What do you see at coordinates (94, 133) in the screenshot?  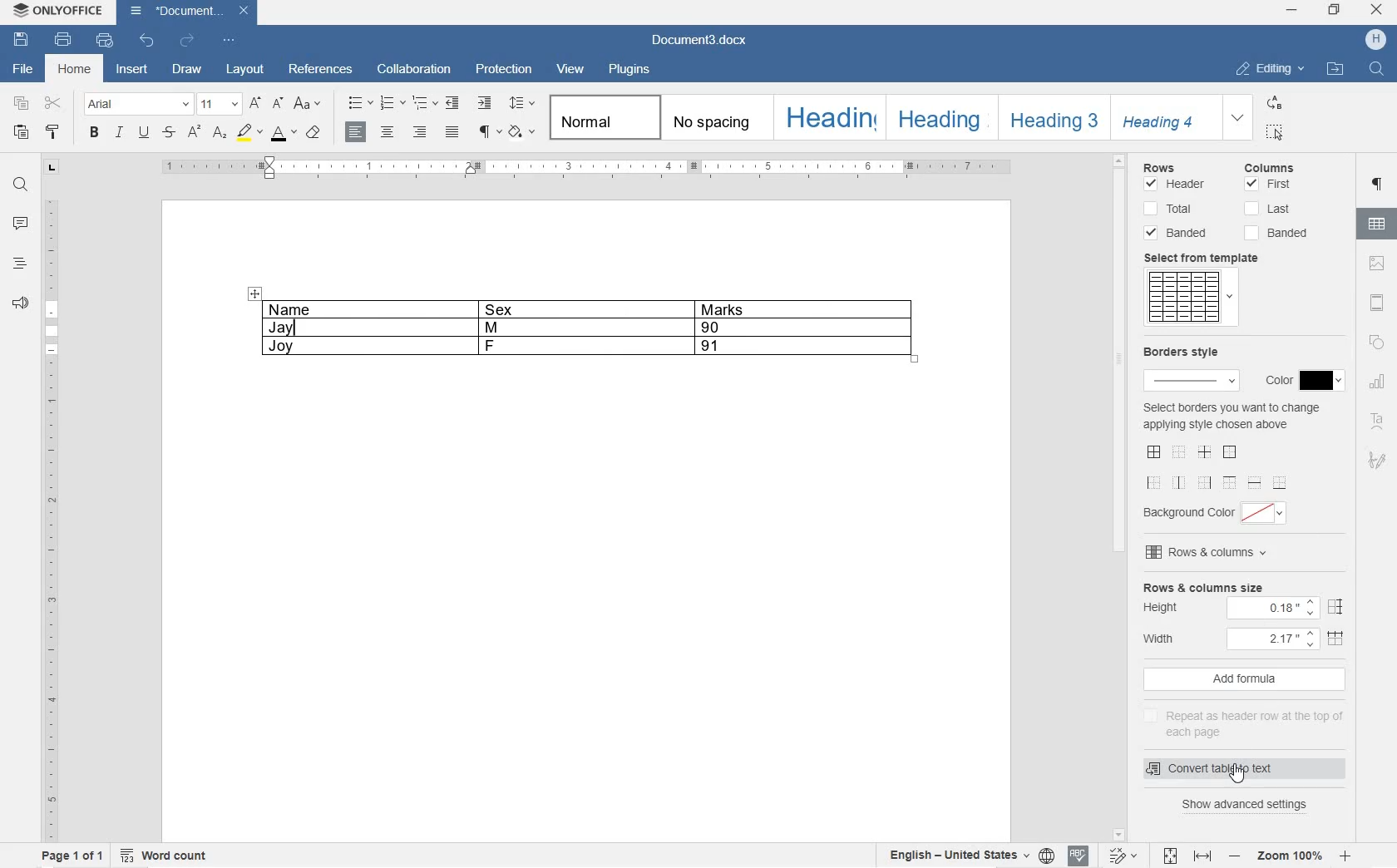 I see `BOLD` at bounding box center [94, 133].